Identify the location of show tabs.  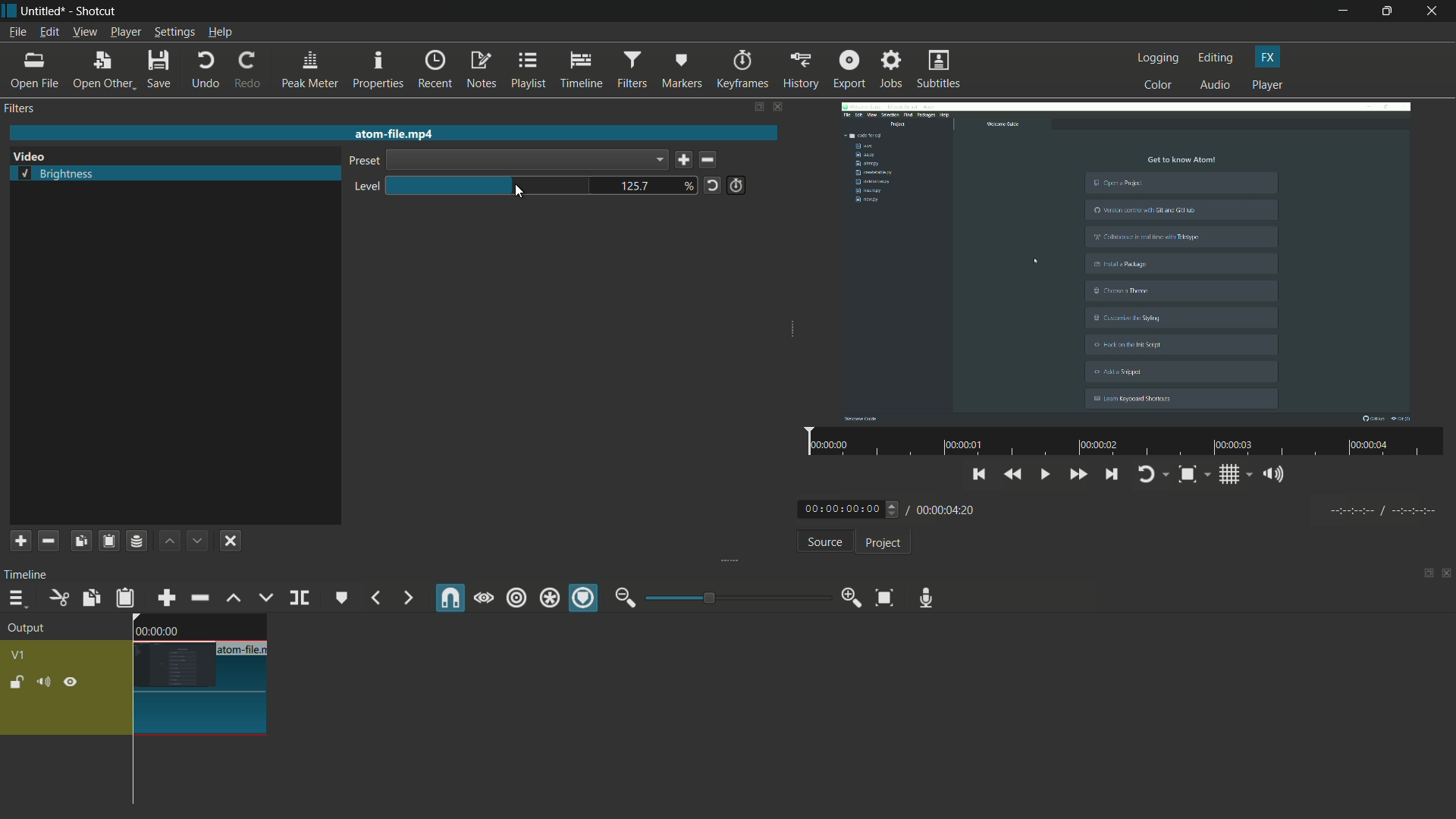
(1423, 575).